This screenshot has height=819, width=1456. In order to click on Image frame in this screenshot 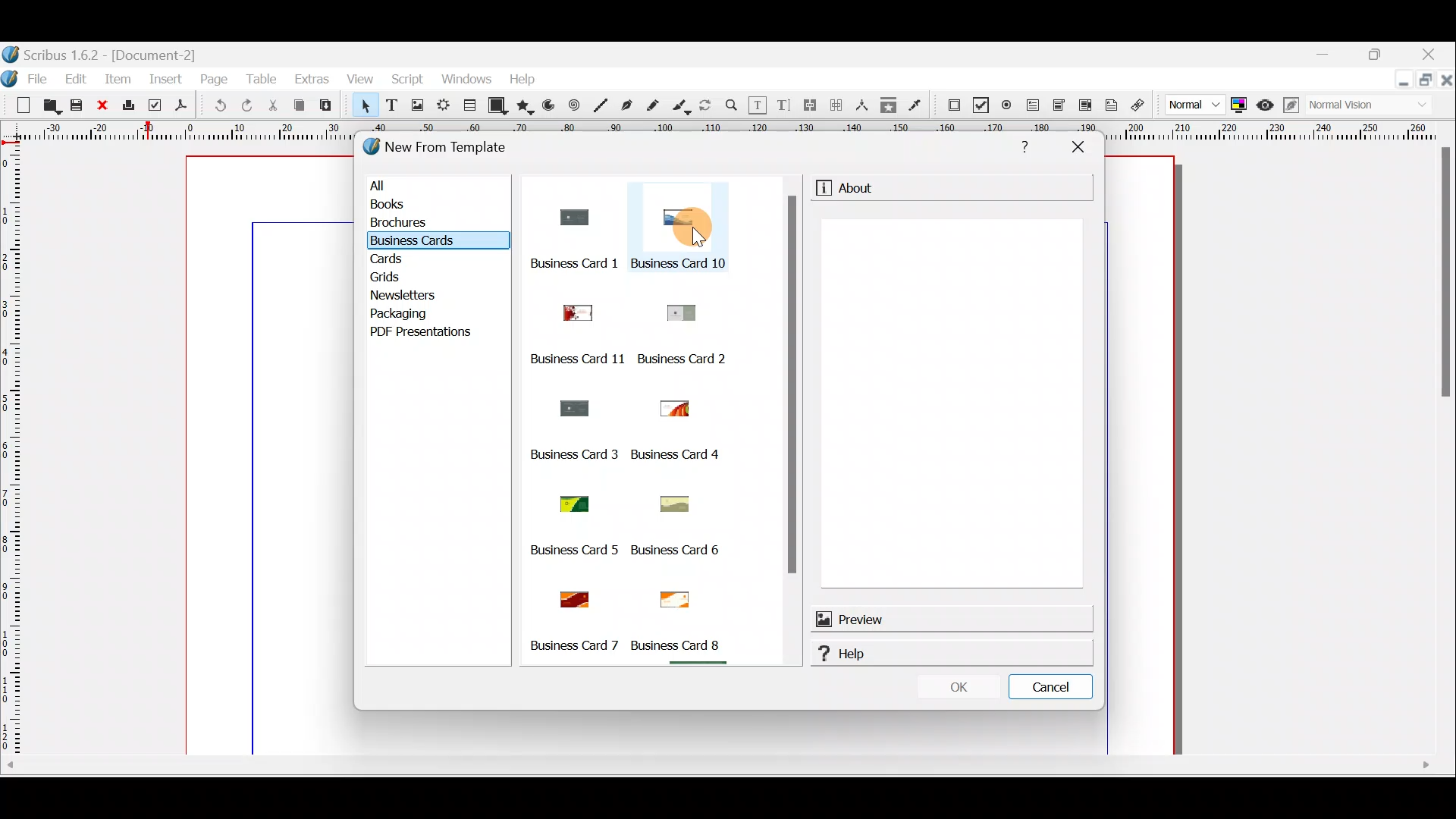, I will do `click(417, 108)`.